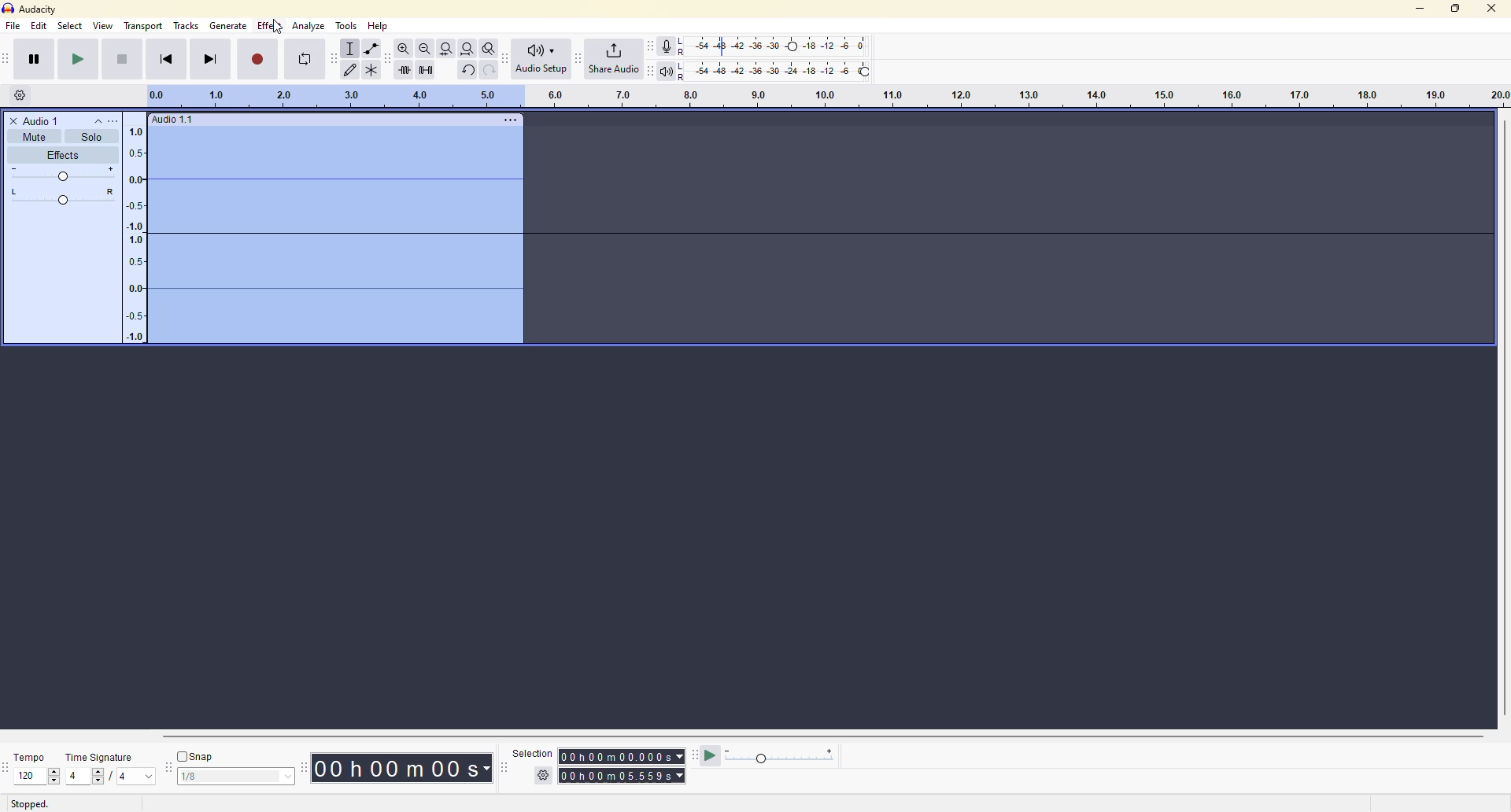 The image size is (1511, 812). What do you see at coordinates (212, 58) in the screenshot?
I see `skip to end` at bounding box center [212, 58].